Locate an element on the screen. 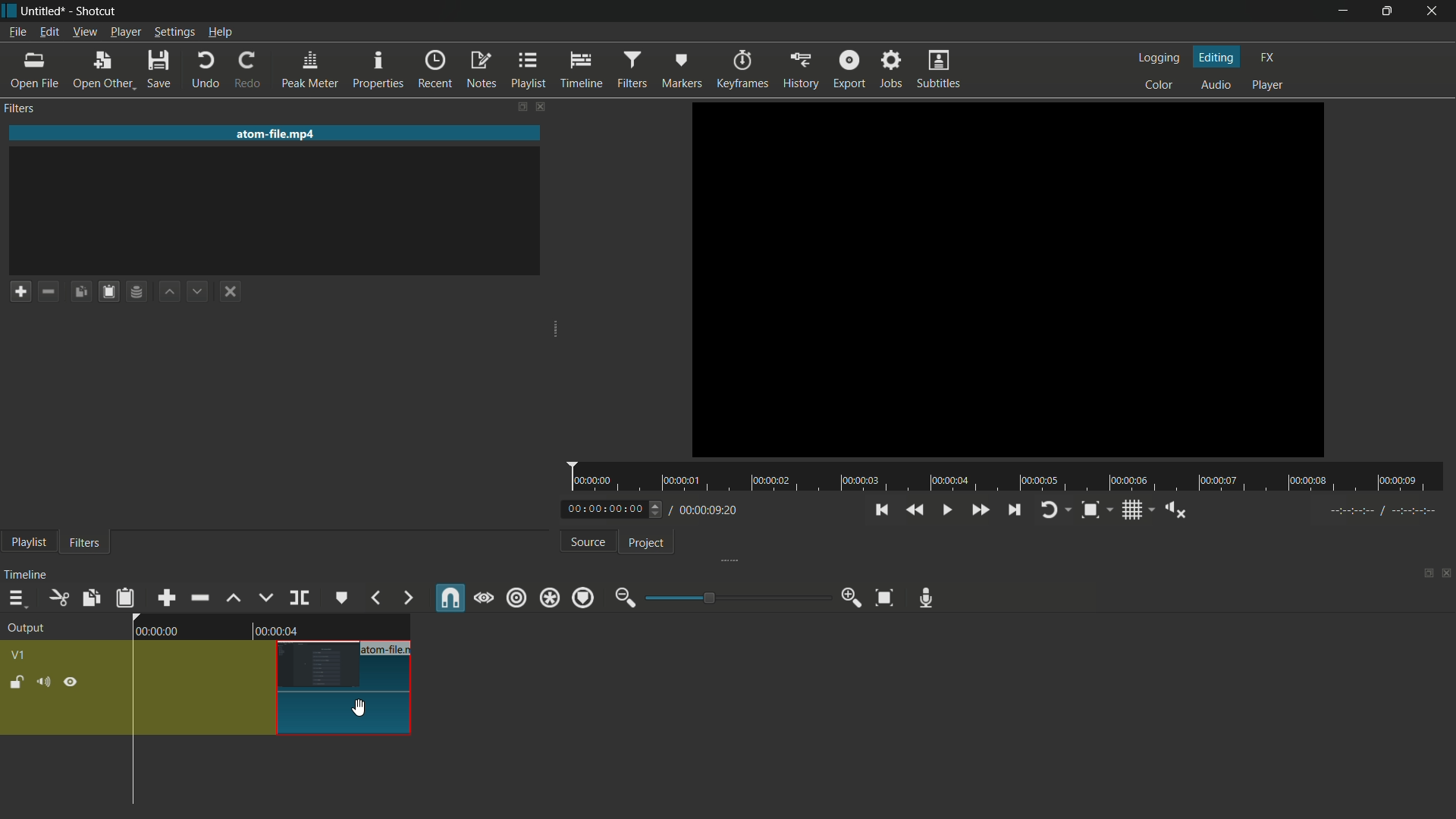 This screenshot has width=1456, height=819. File Name is located at coordinates (390, 646).